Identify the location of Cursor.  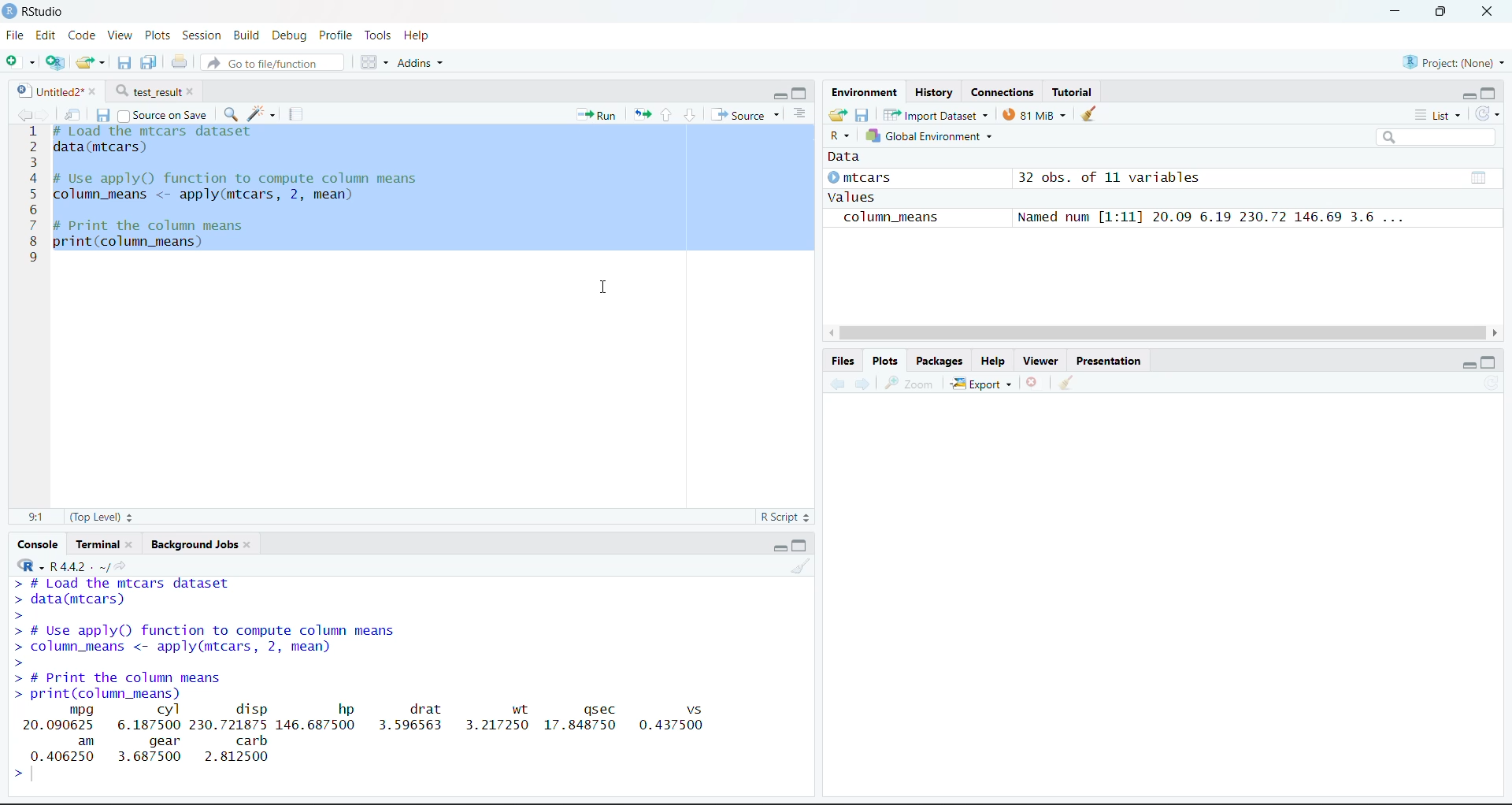
(592, 131).